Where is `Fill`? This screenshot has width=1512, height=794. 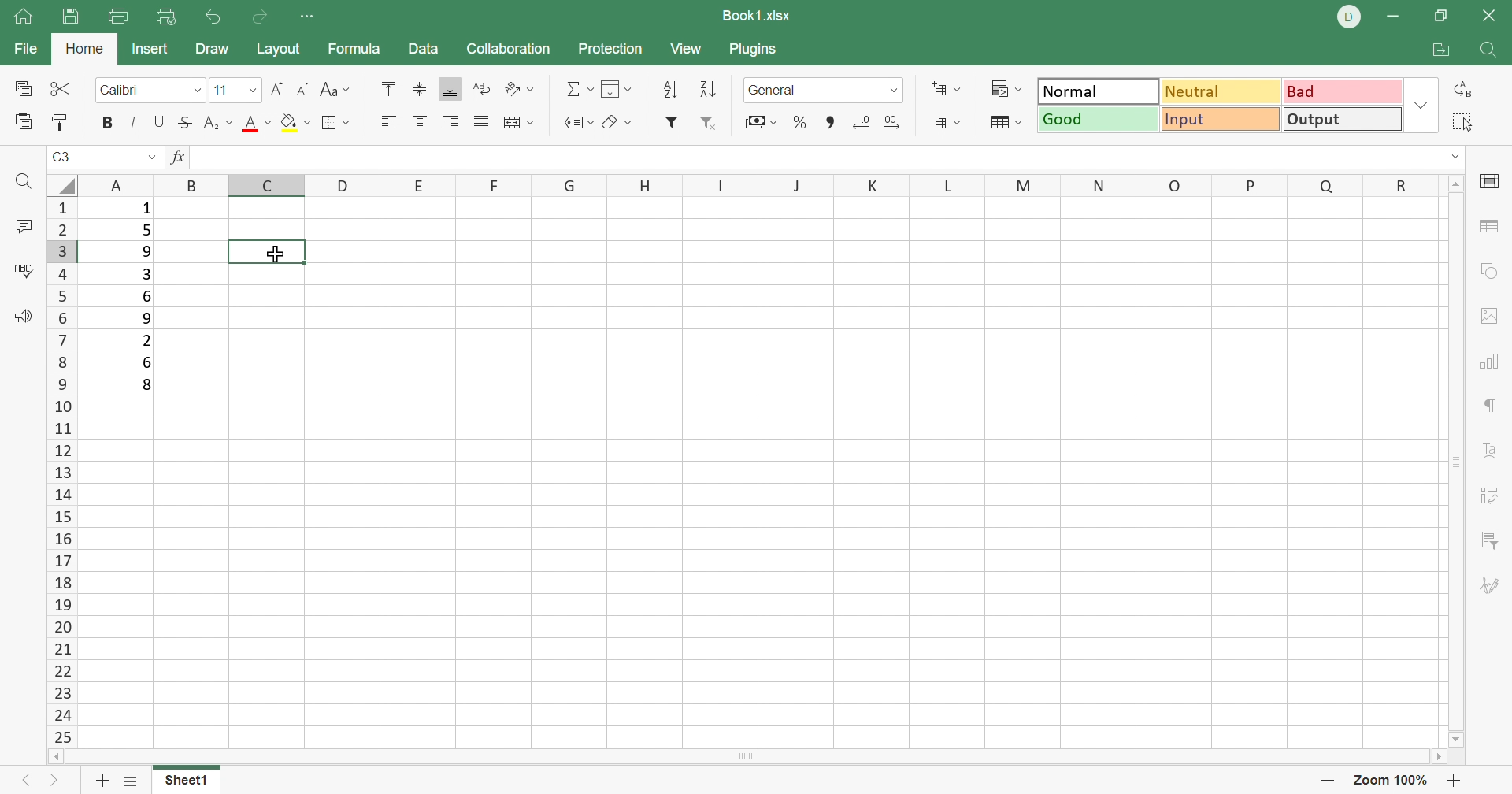 Fill is located at coordinates (617, 89).